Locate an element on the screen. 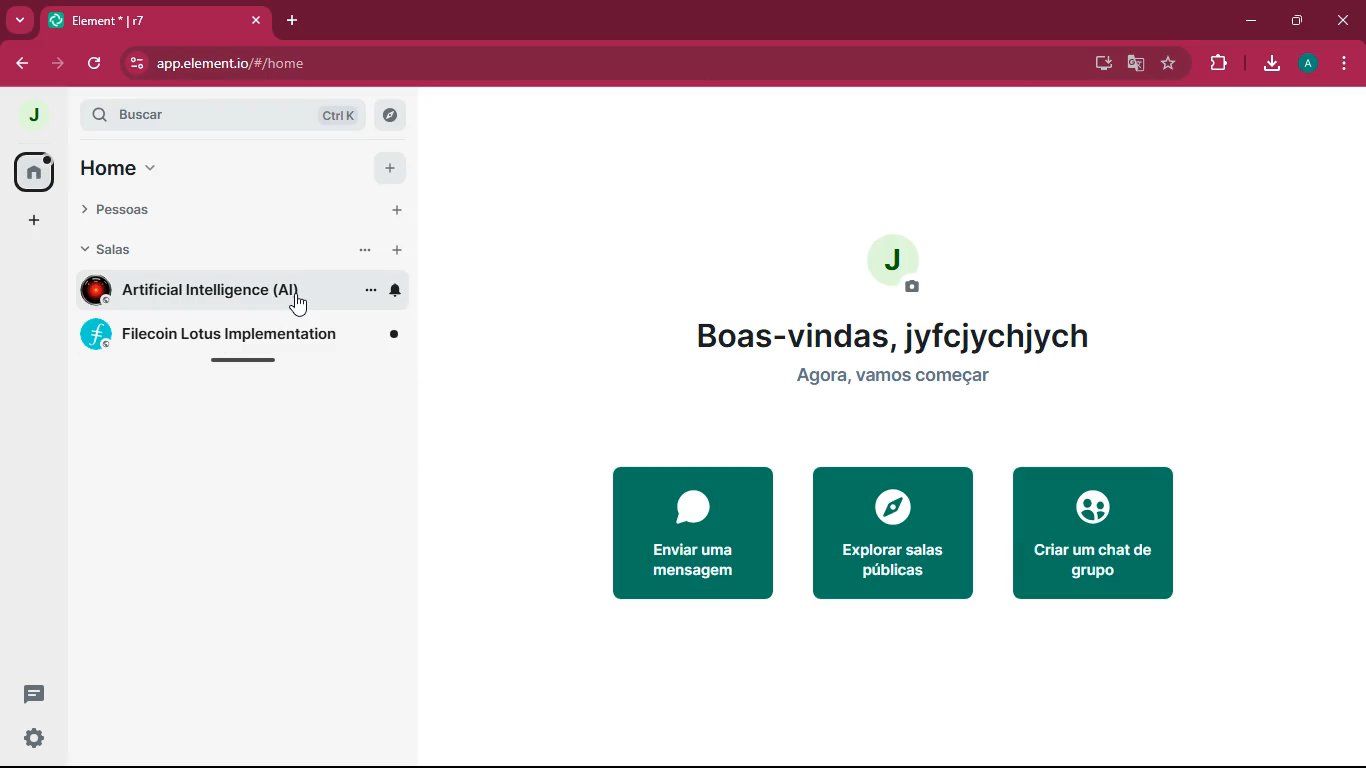  favorite is located at coordinates (1168, 65).